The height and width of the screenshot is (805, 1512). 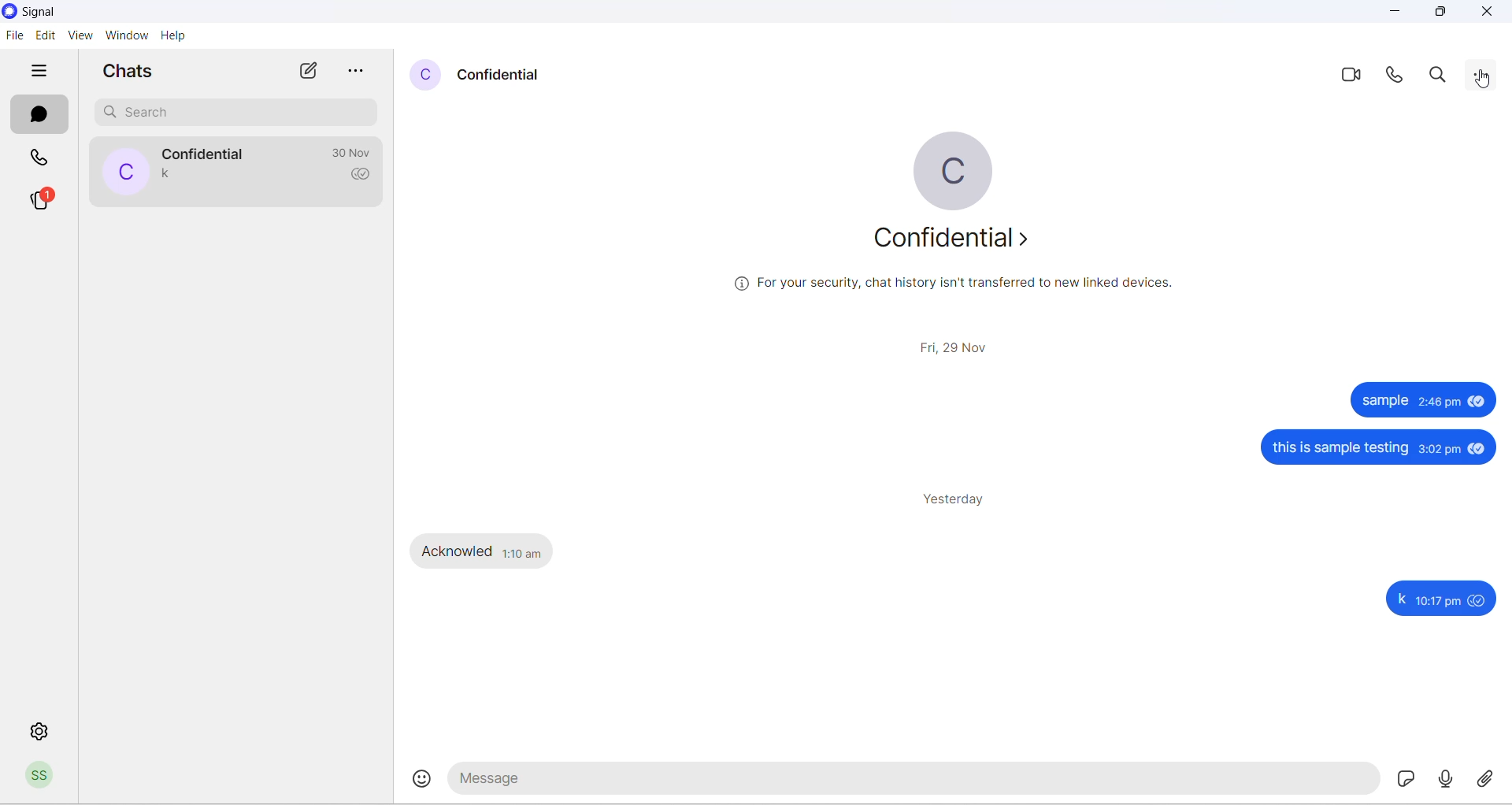 What do you see at coordinates (1352, 76) in the screenshot?
I see `video call` at bounding box center [1352, 76].